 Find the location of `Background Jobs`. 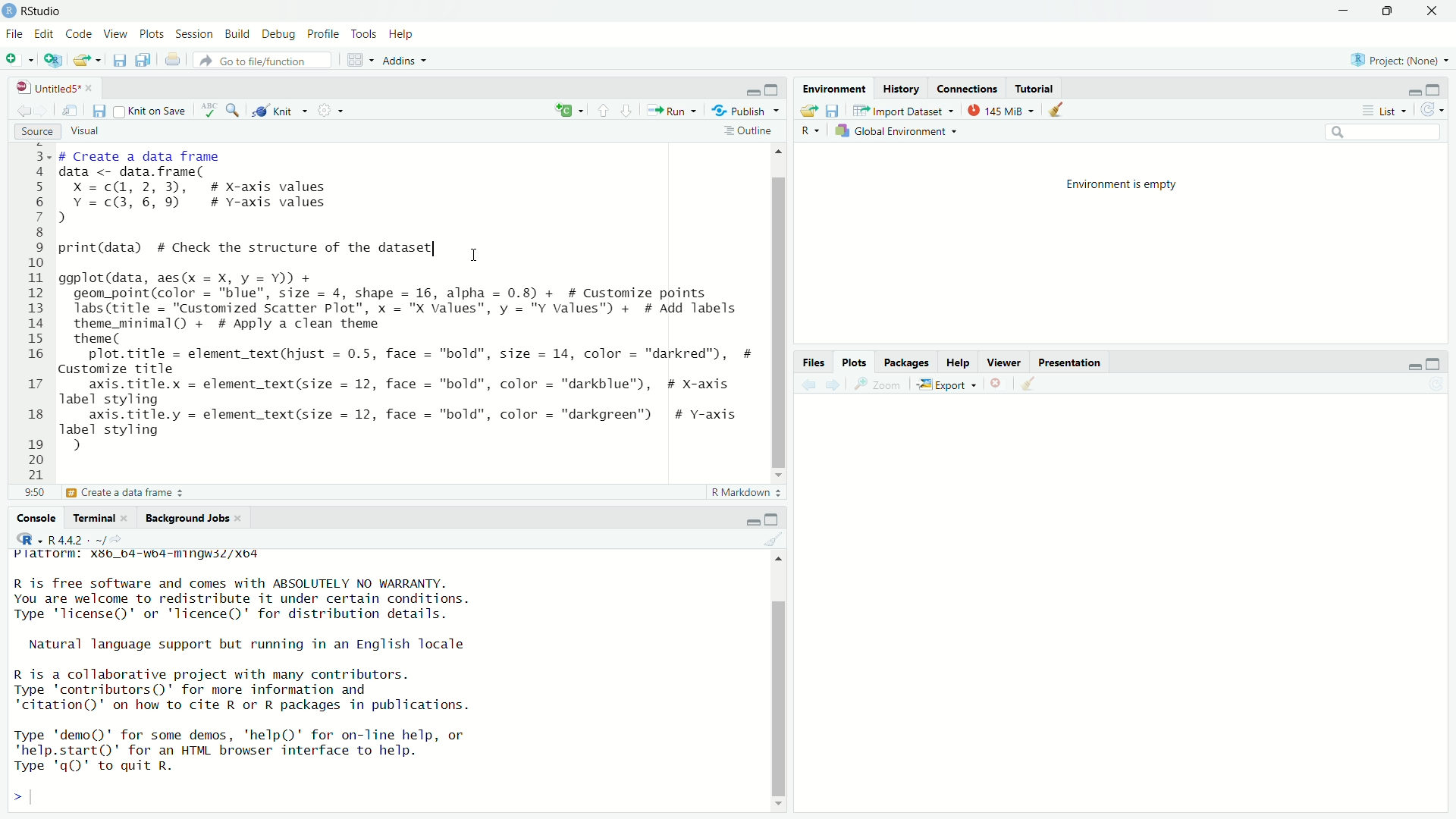

Background Jobs is located at coordinates (192, 519).